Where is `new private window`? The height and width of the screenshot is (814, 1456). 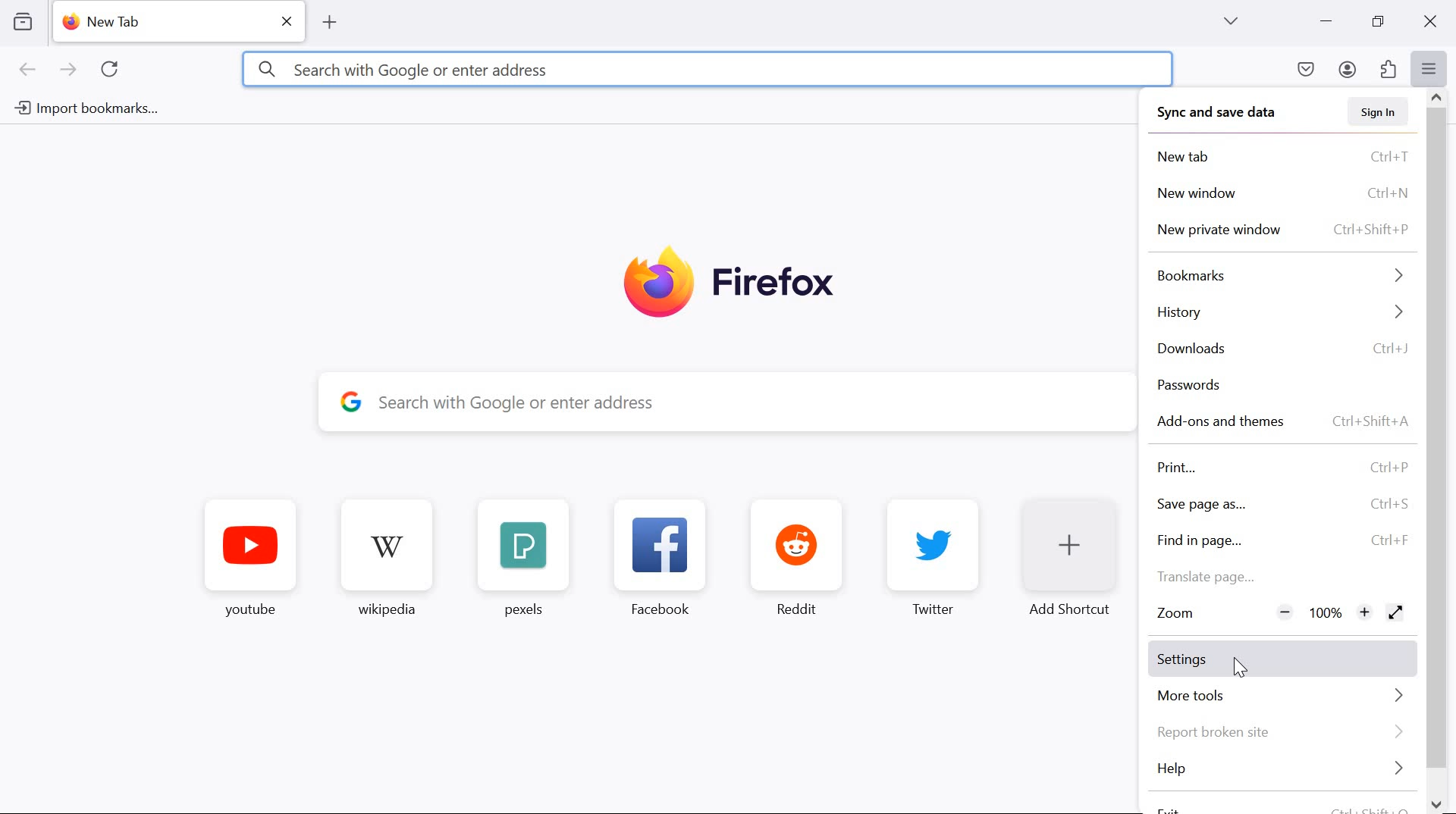
new private window is located at coordinates (1282, 234).